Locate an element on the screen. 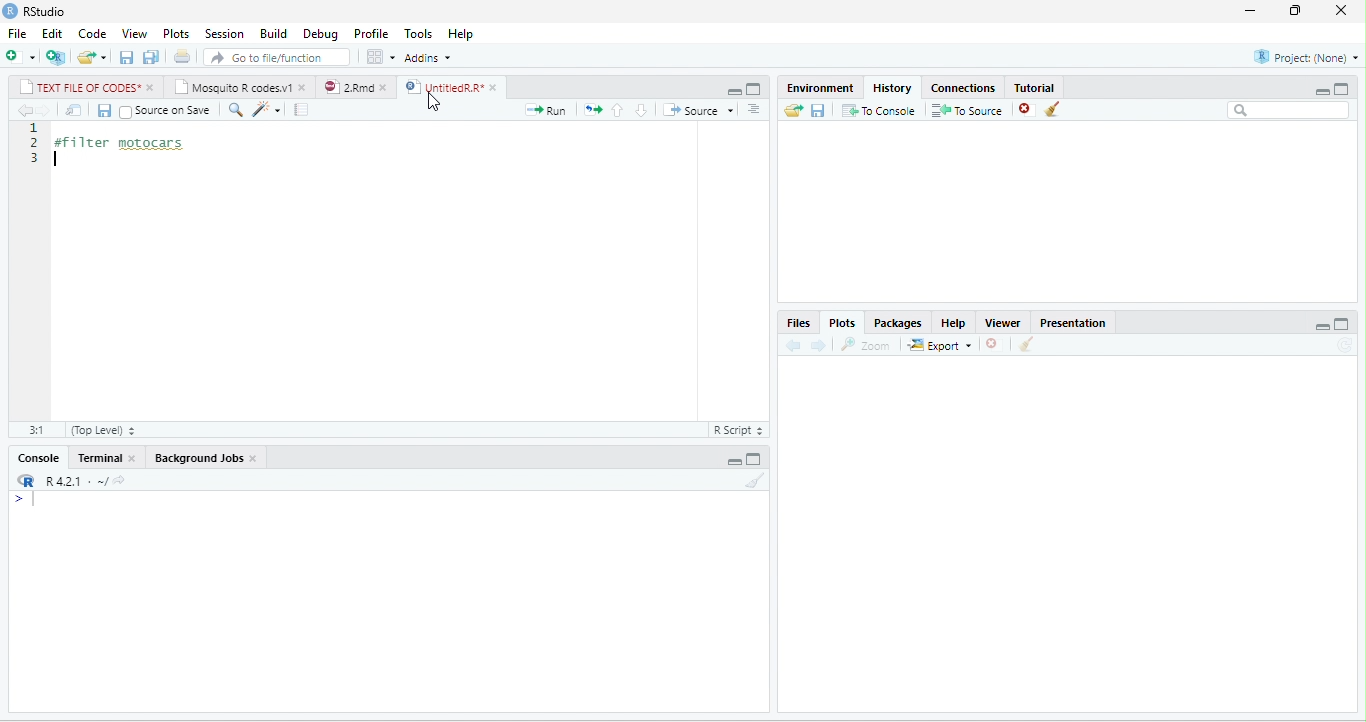  down is located at coordinates (641, 110).